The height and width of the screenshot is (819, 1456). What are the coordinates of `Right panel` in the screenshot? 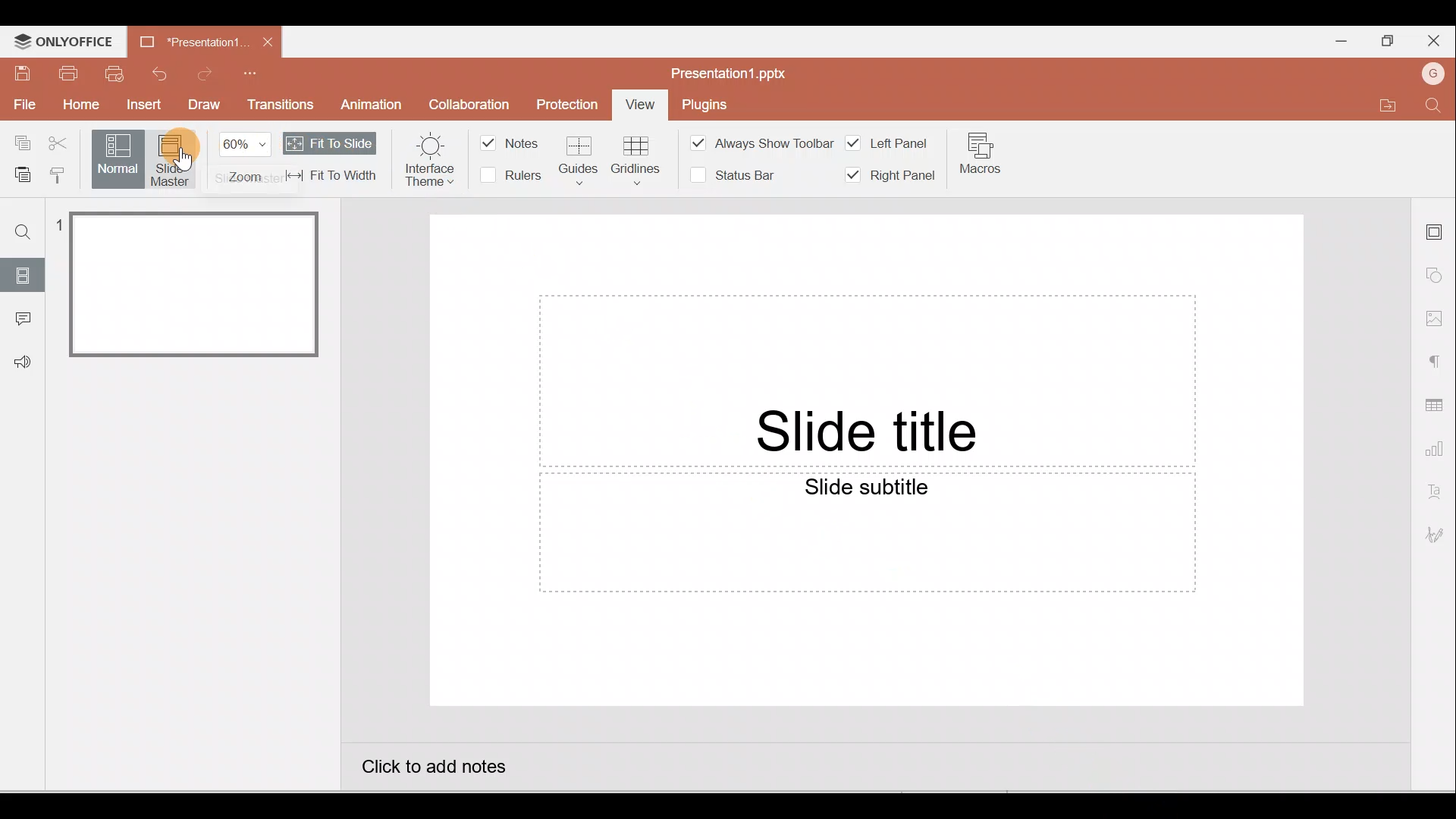 It's located at (890, 176).